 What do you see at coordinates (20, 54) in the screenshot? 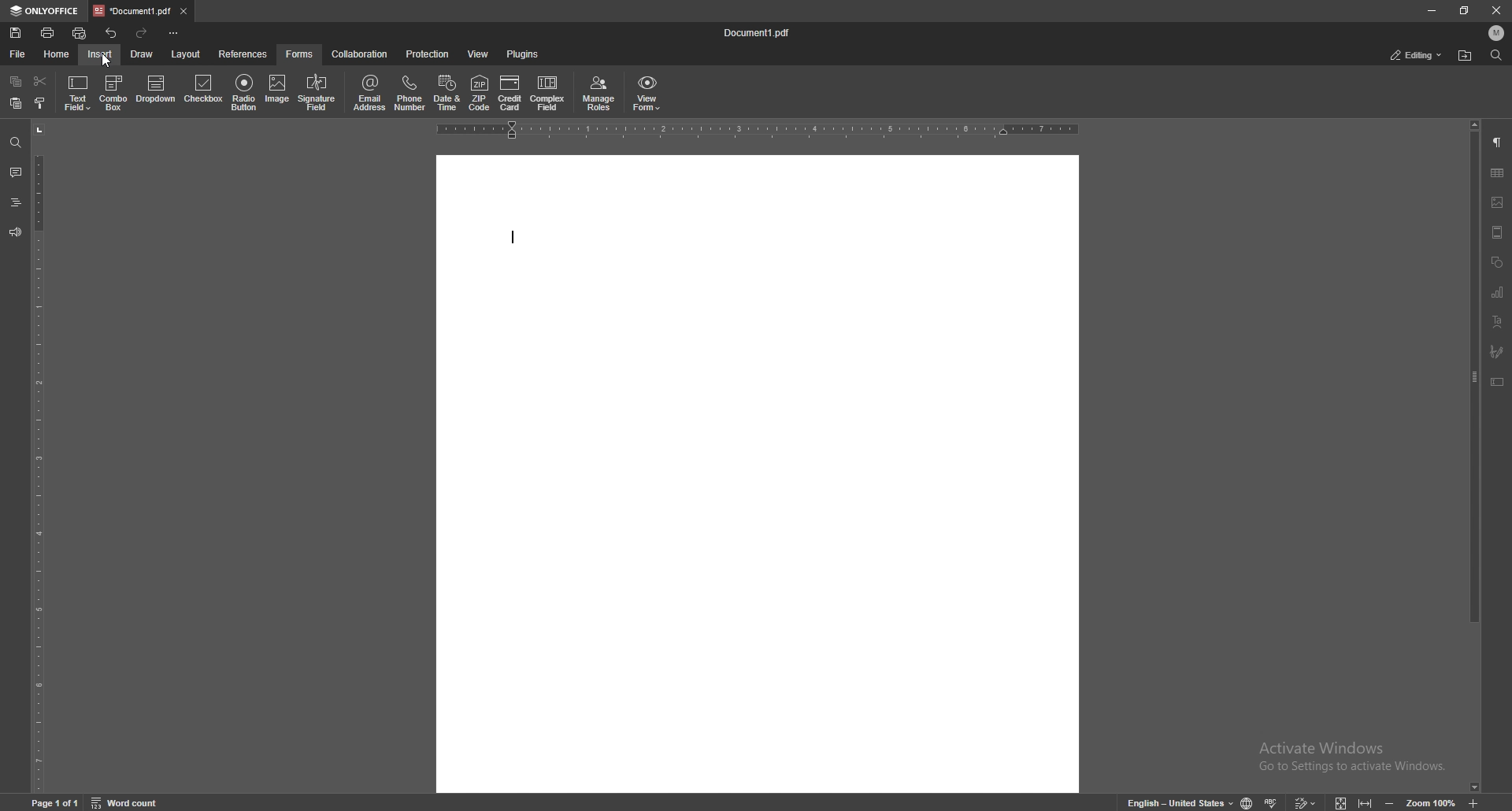
I see `file` at bounding box center [20, 54].